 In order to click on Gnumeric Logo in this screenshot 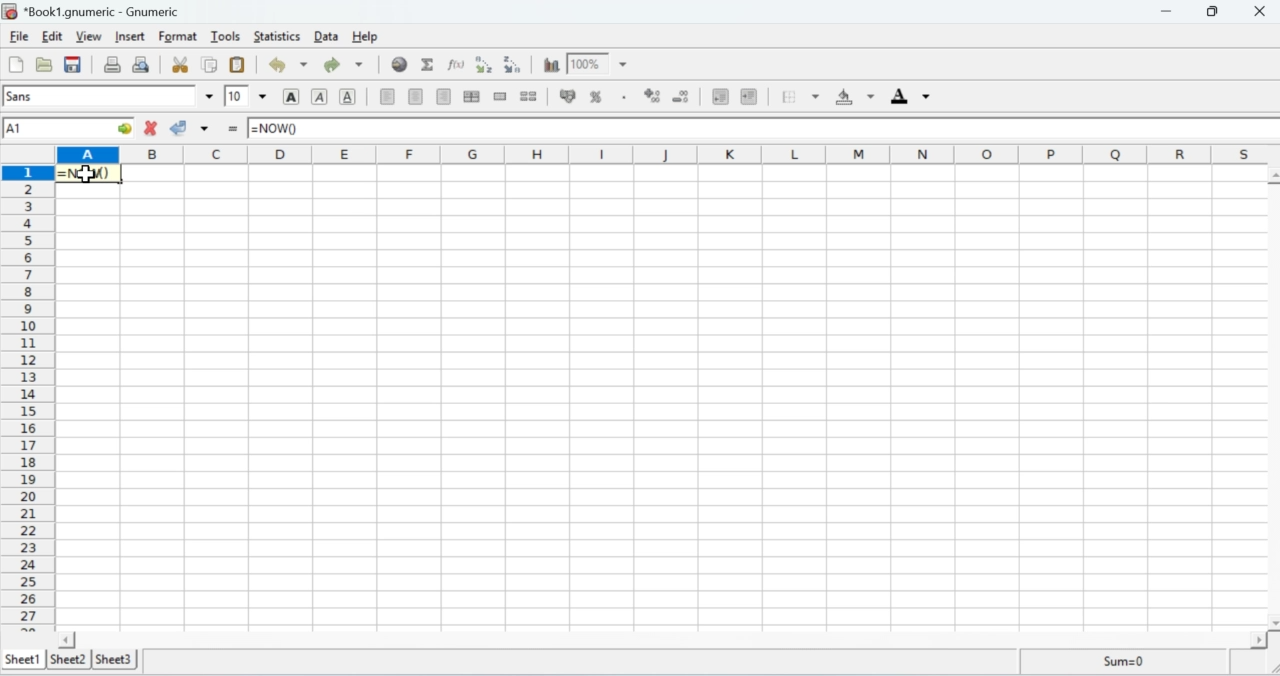, I will do `click(11, 12)`.